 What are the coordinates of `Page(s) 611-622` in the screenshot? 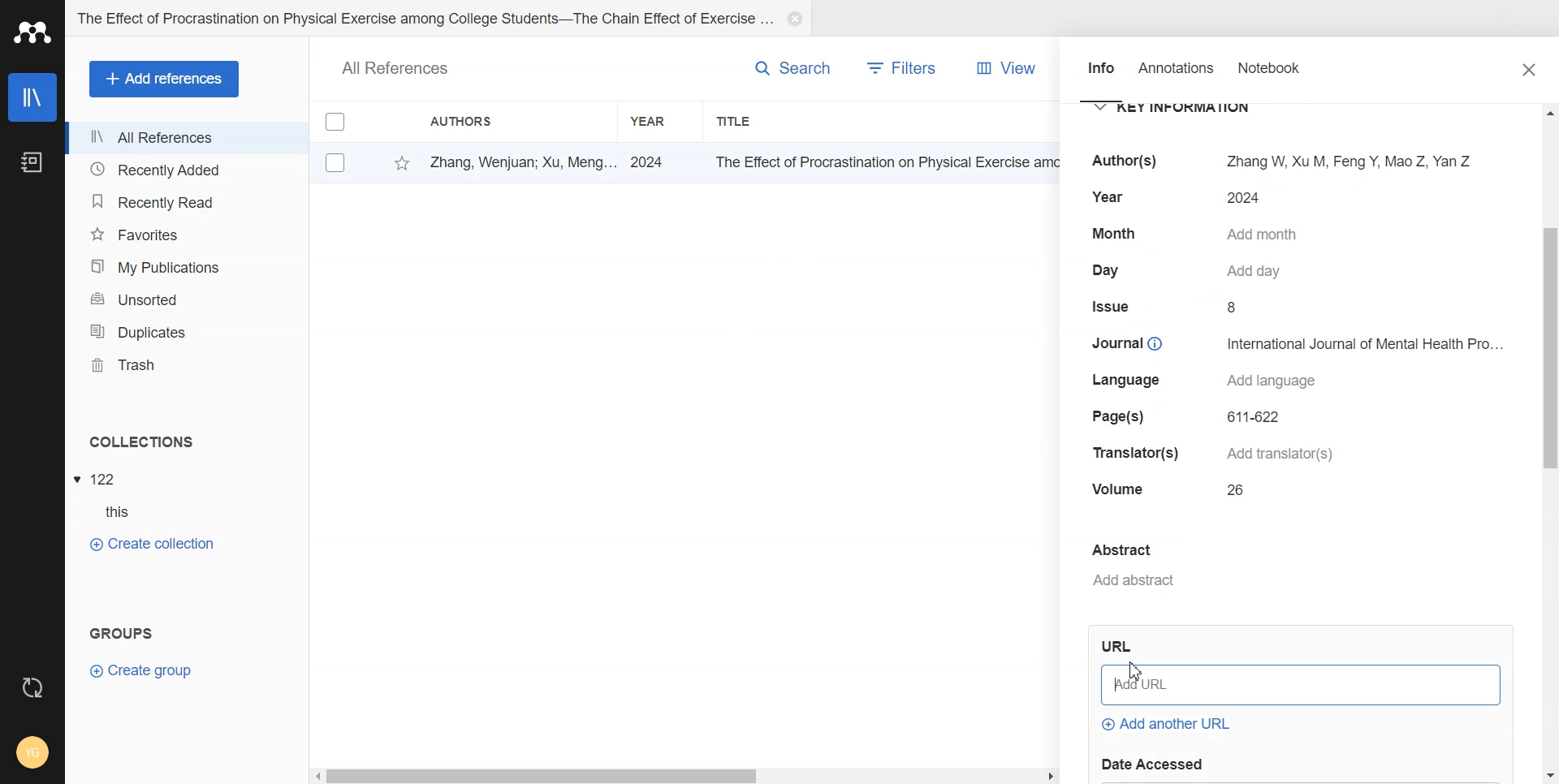 It's located at (1190, 416).